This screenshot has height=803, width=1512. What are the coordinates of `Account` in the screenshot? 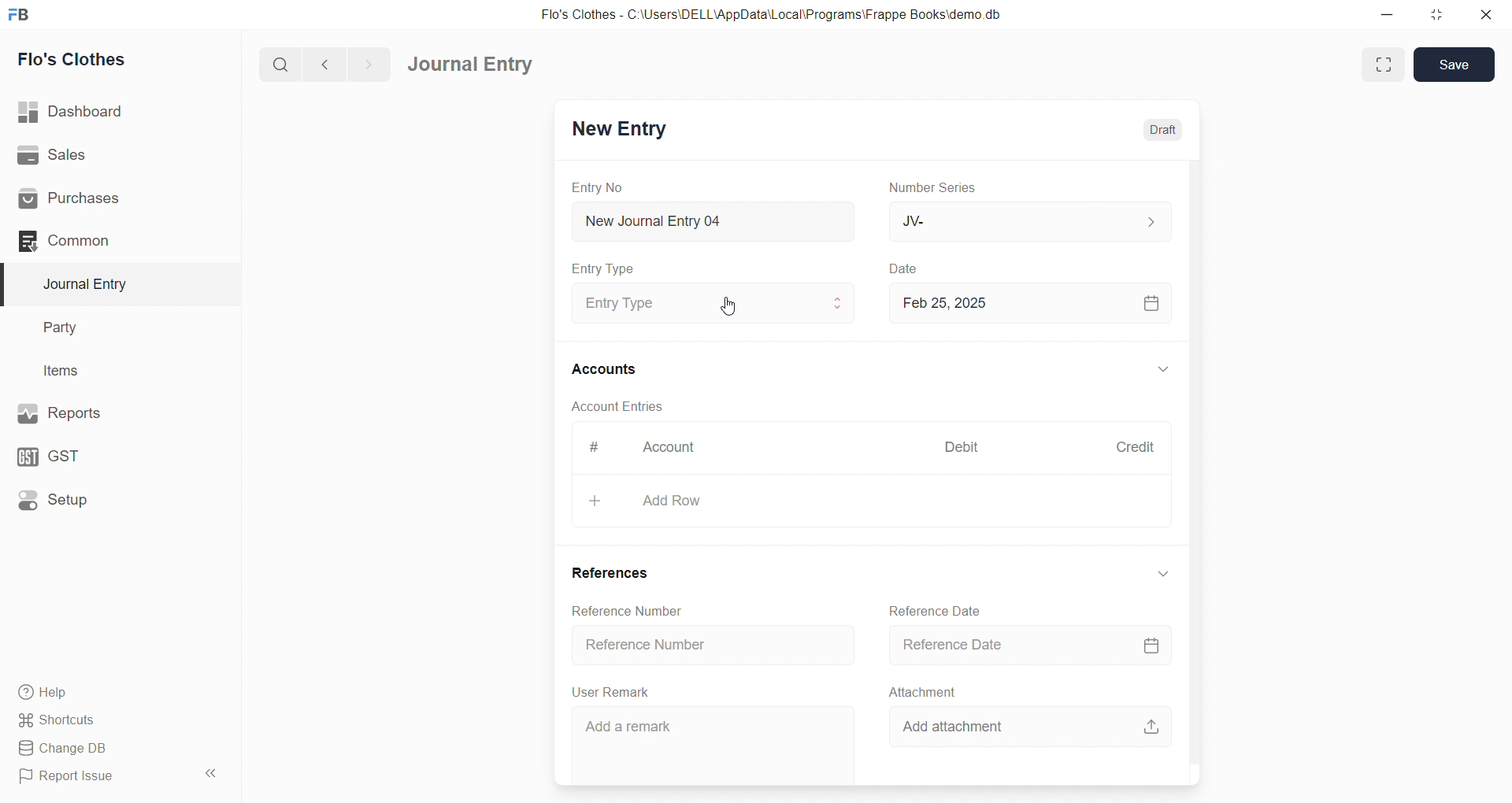 It's located at (665, 450).